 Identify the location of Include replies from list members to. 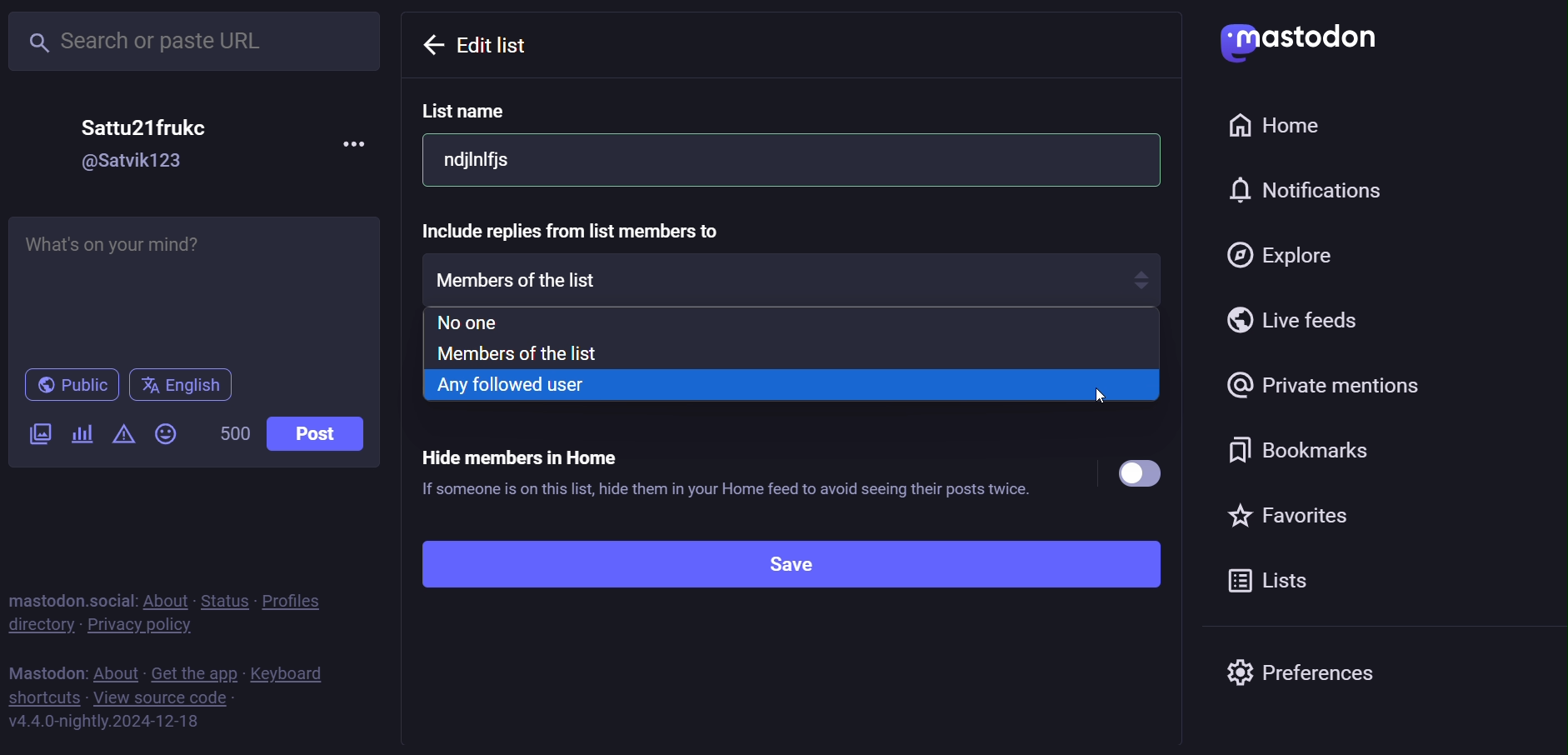
(607, 227).